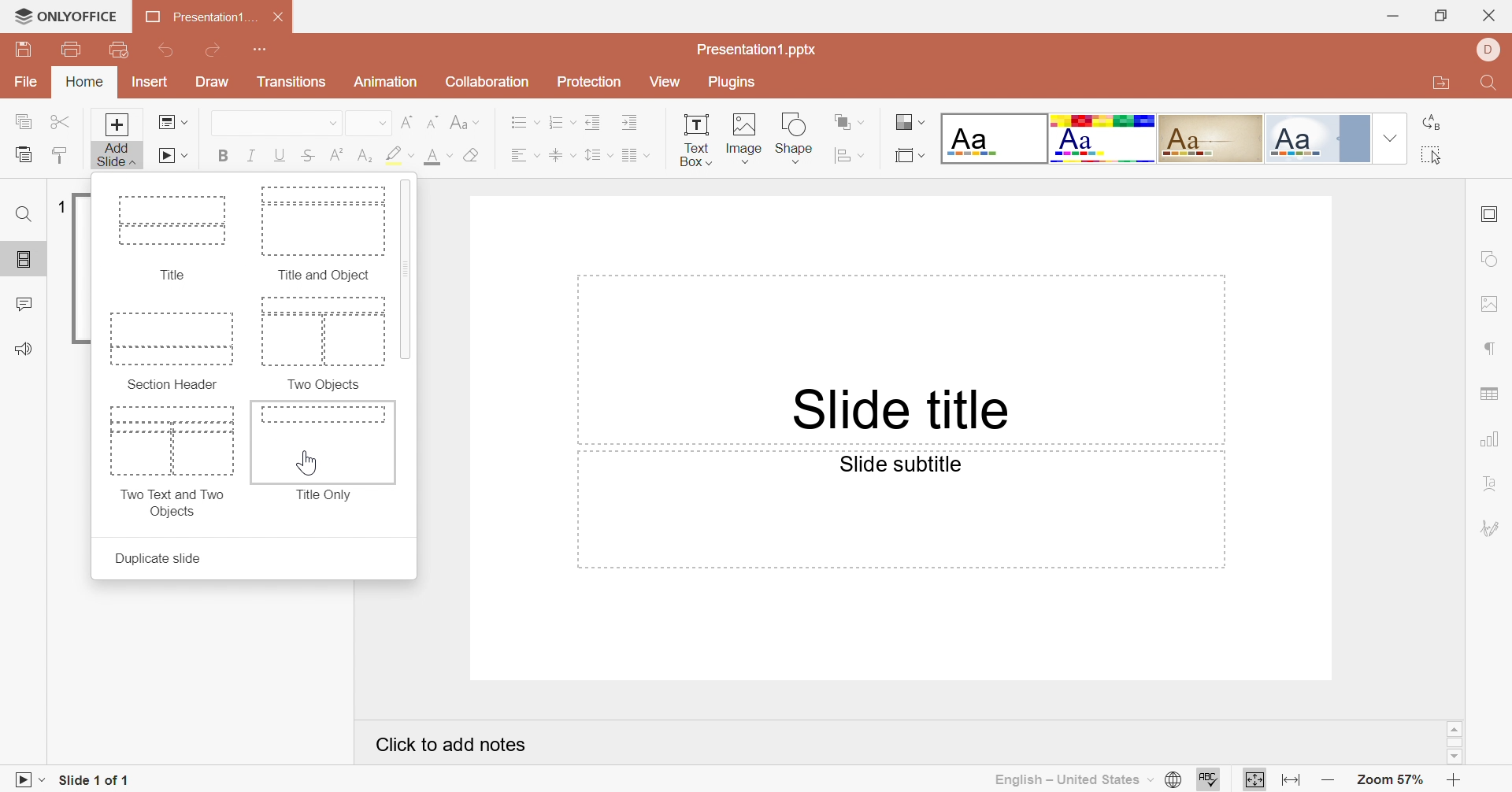 This screenshot has height=792, width=1512. What do you see at coordinates (1492, 82) in the screenshot?
I see `Find` at bounding box center [1492, 82].